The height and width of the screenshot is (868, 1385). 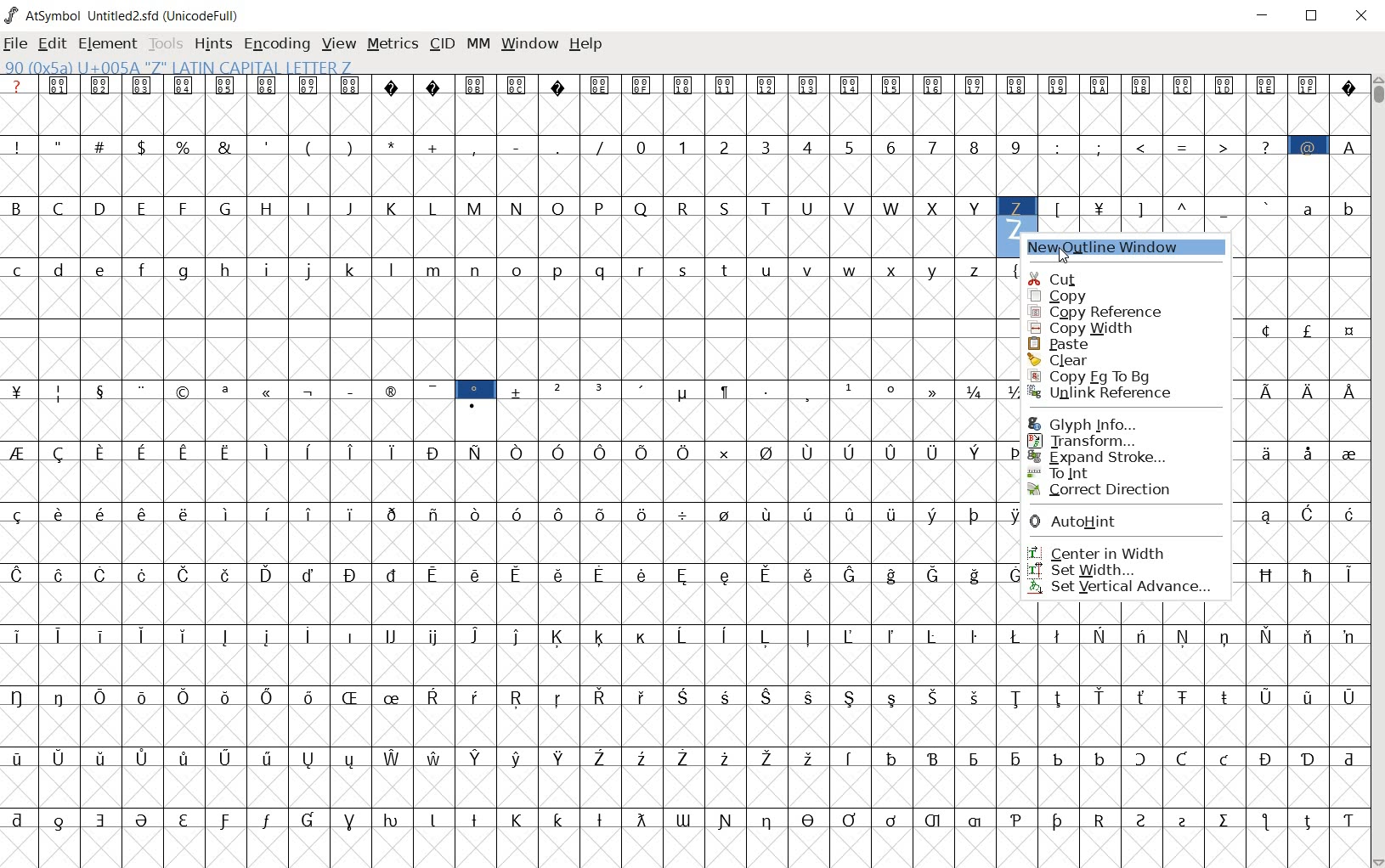 What do you see at coordinates (1016, 208) in the screenshot?
I see `90(0x5a) U+005A "Z" LATIN CAPITAL LETTER Z` at bounding box center [1016, 208].